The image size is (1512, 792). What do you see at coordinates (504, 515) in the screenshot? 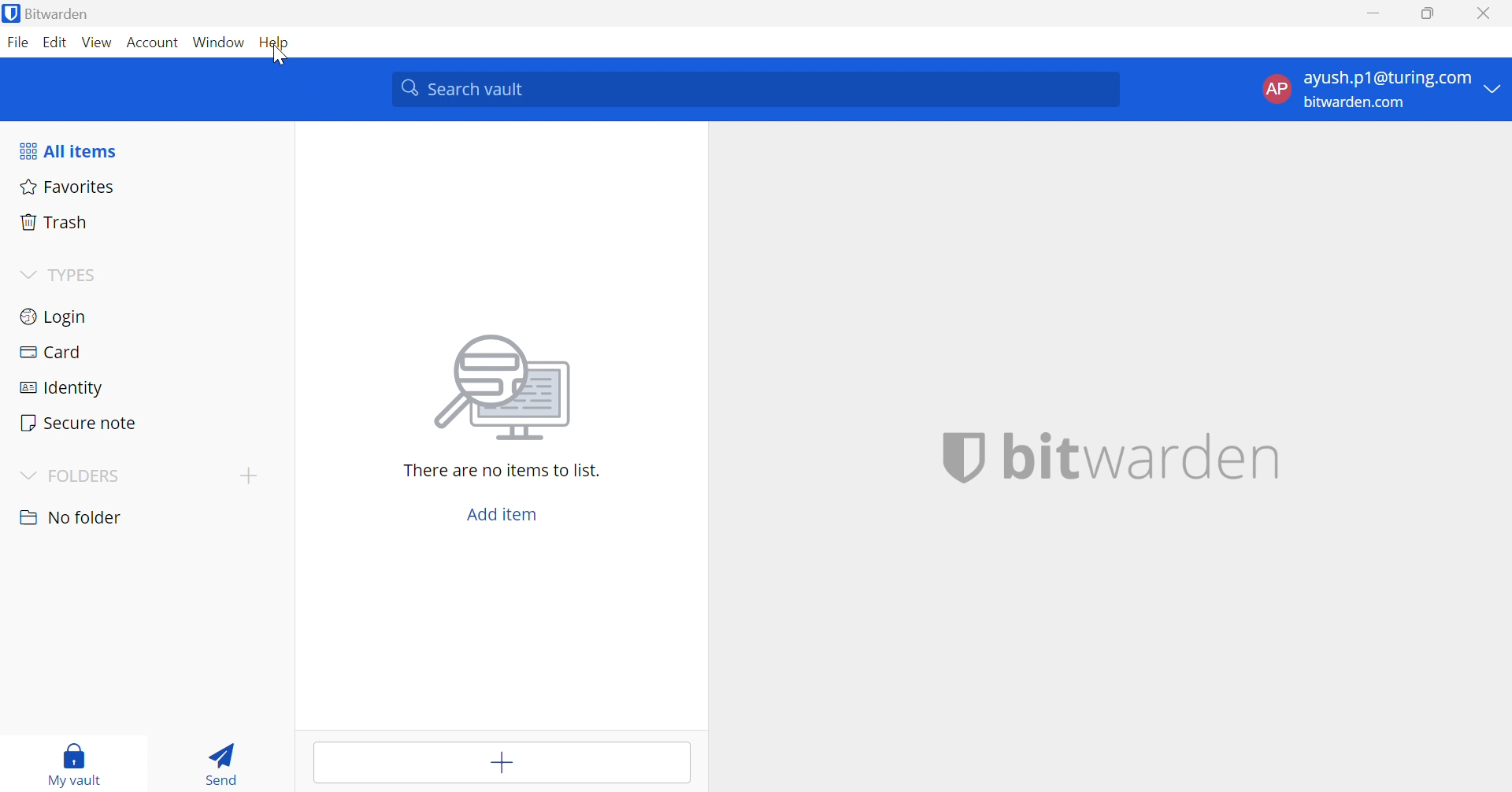
I see `Add item` at bounding box center [504, 515].